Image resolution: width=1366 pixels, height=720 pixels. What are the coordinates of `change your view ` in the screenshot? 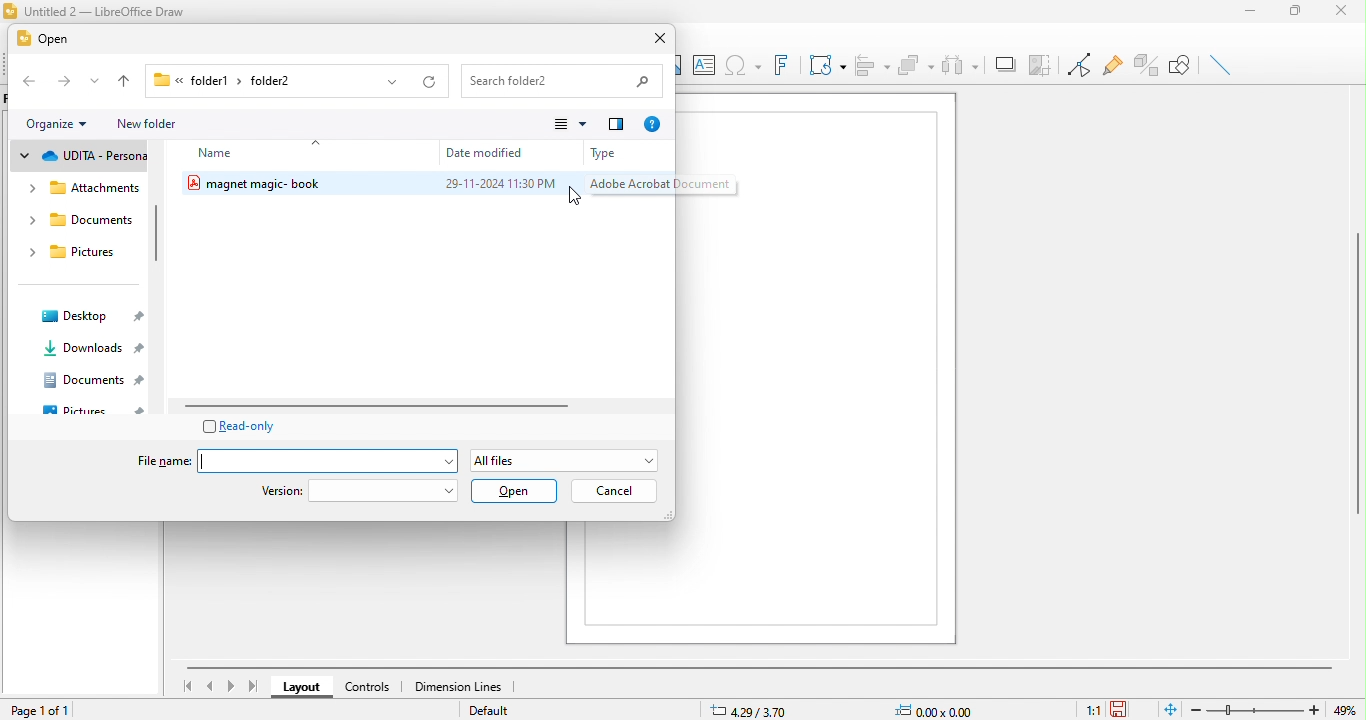 It's located at (569, 125).